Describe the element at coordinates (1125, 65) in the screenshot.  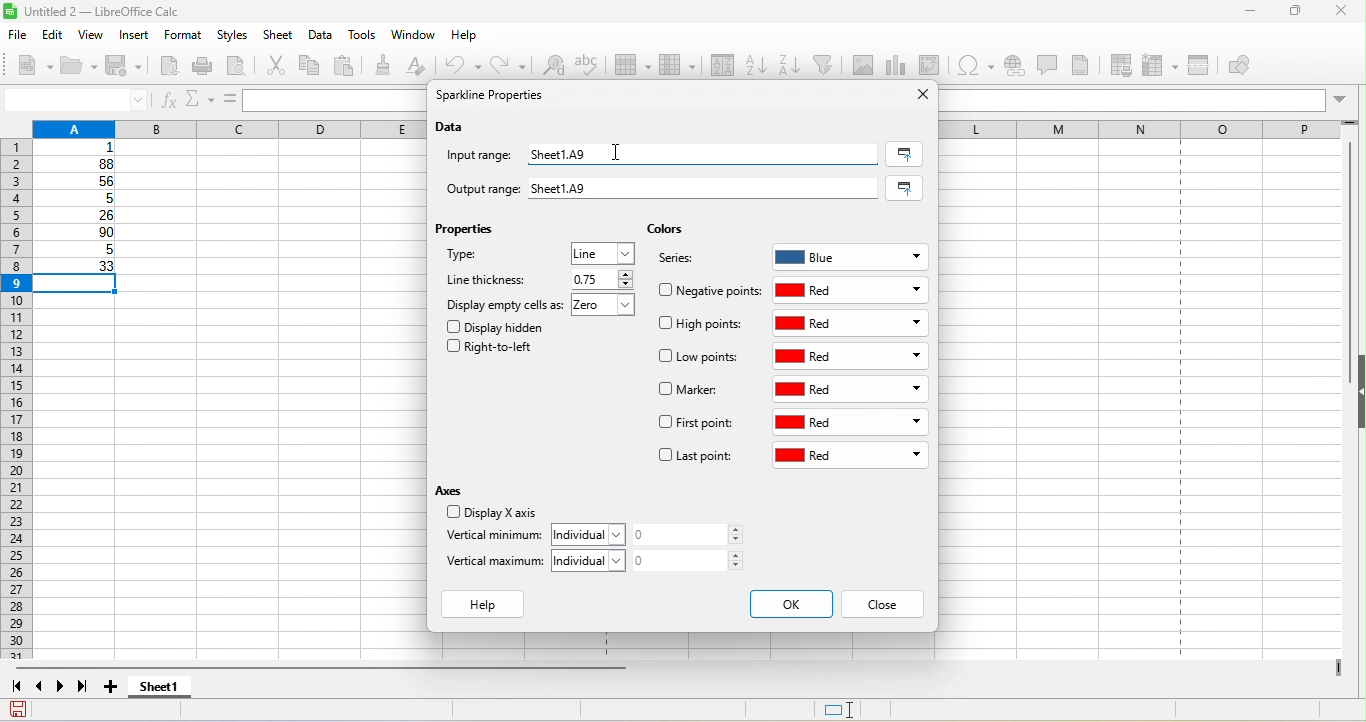
I see `defined print area` at that location.